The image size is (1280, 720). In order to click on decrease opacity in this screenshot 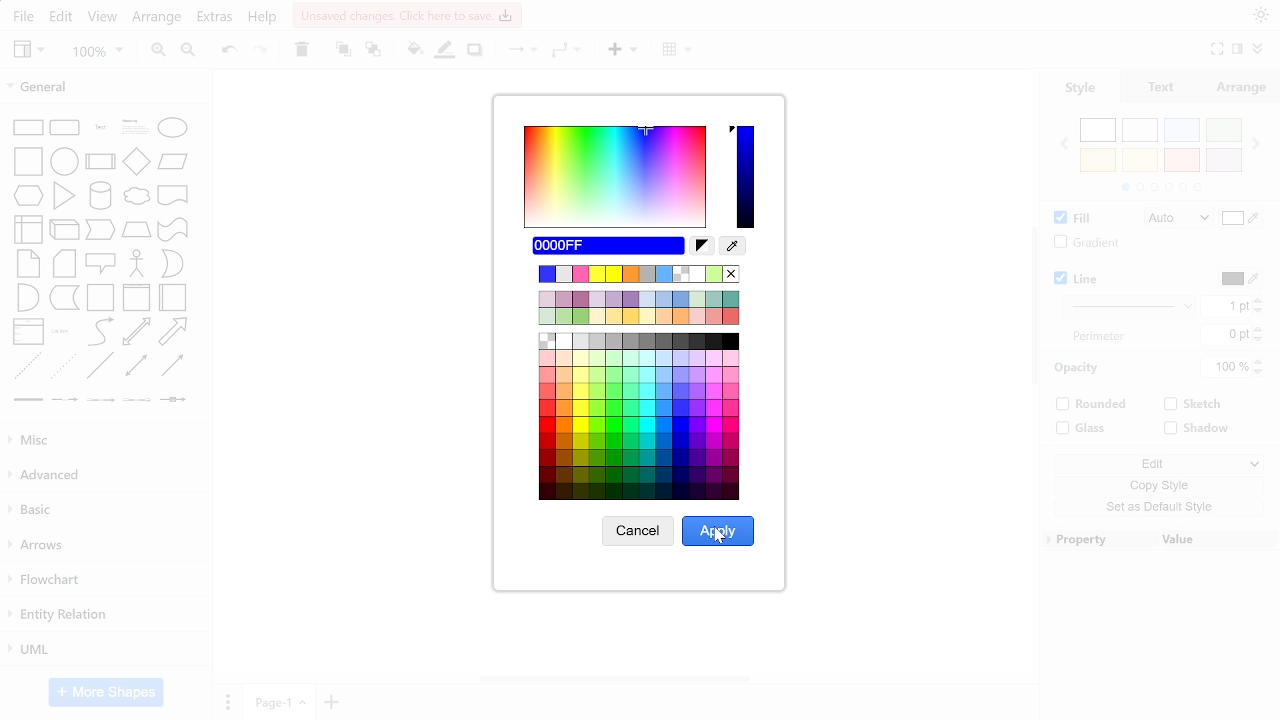, I will do `click(1261, 373)`.